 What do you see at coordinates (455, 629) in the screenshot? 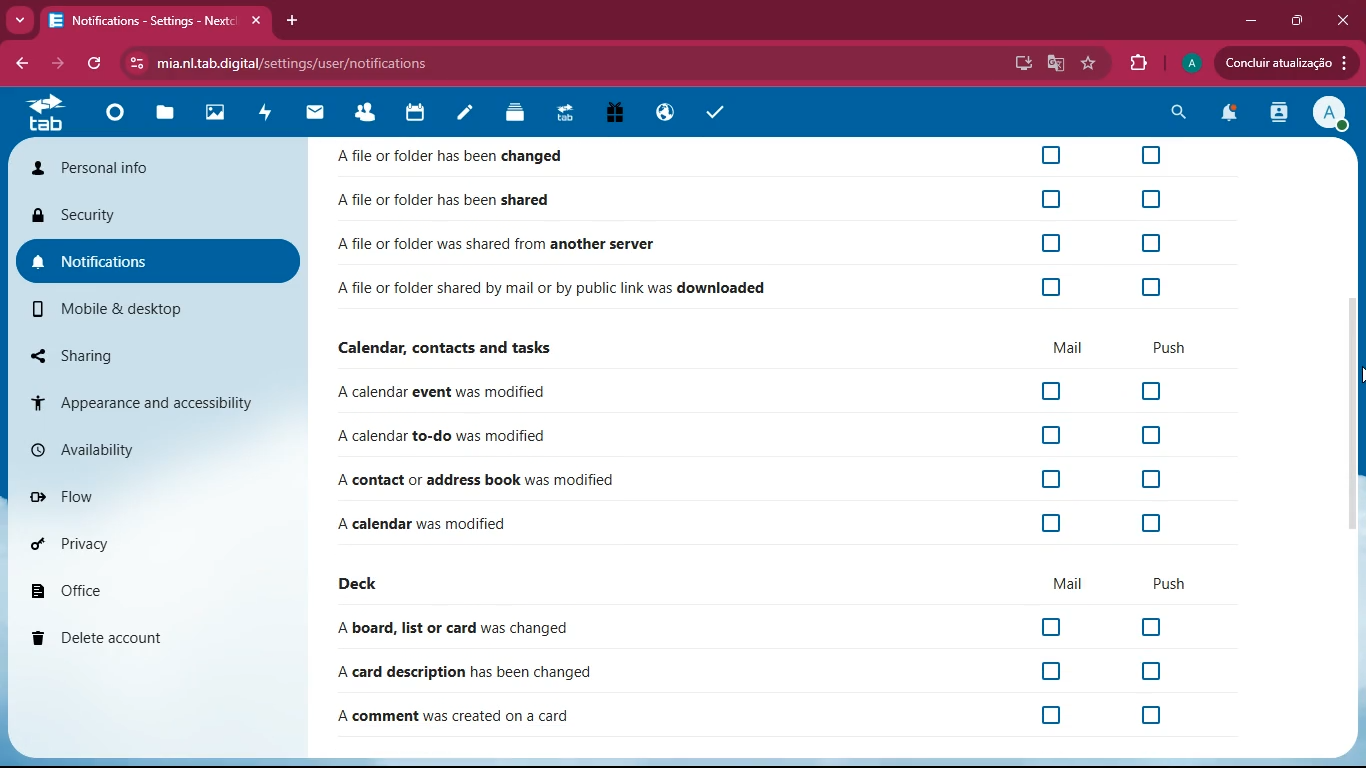
I see `A board, list or card was changed` at bounding box center [455, 629].